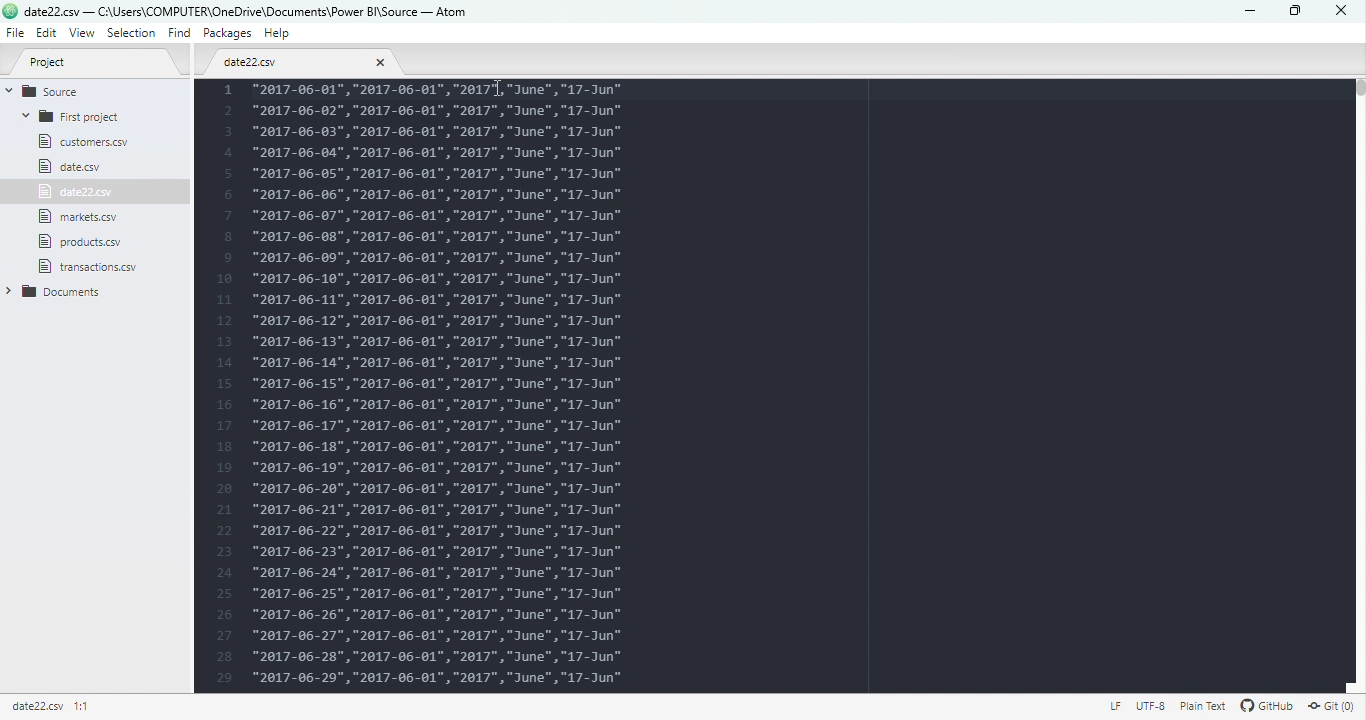  I want to click on View, so click(84, 34).